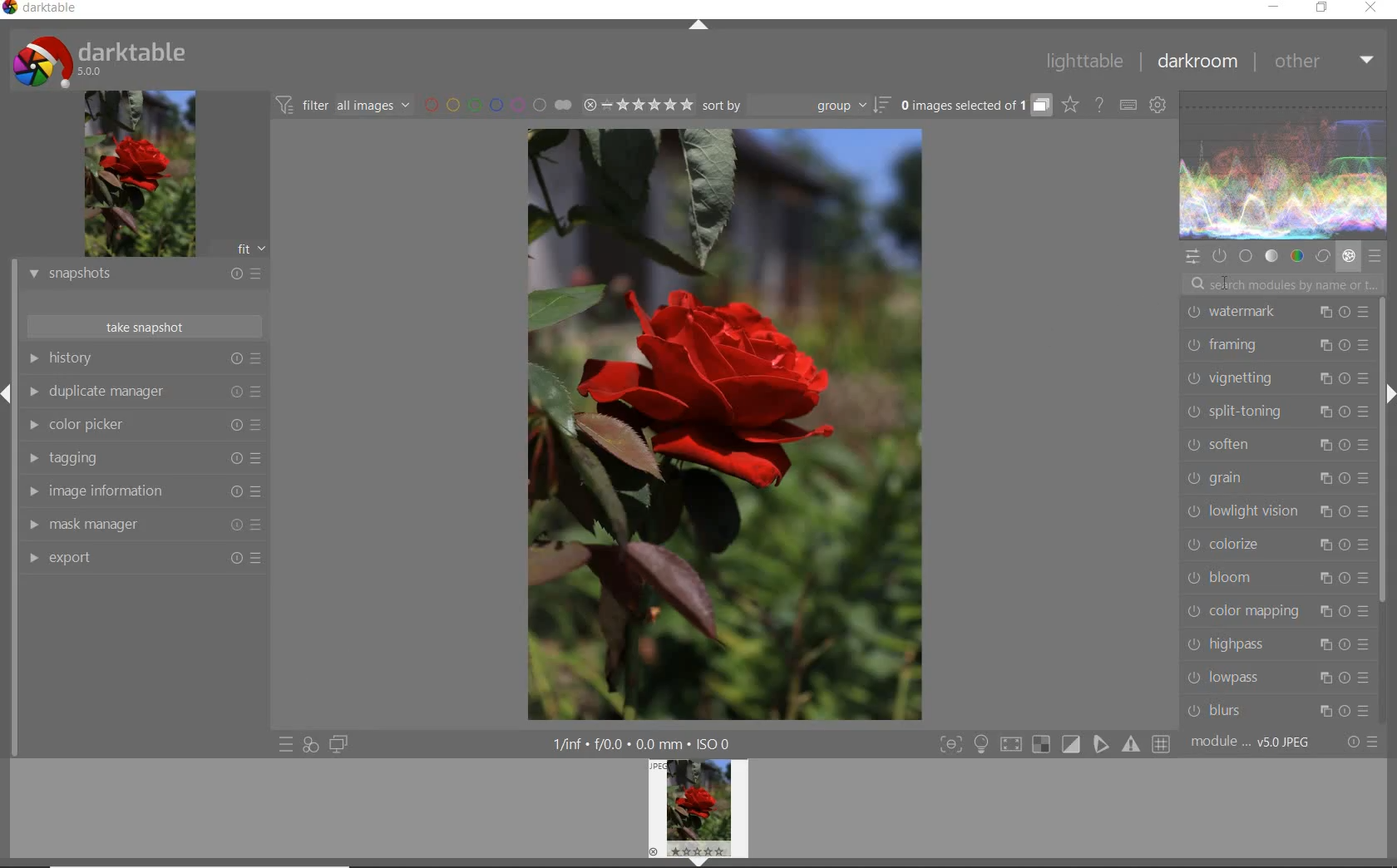 The image size is (1397, 868). Describe the element at coordinates (638, 105) in the screenshot. I see `range ratings for selected images` at that location.